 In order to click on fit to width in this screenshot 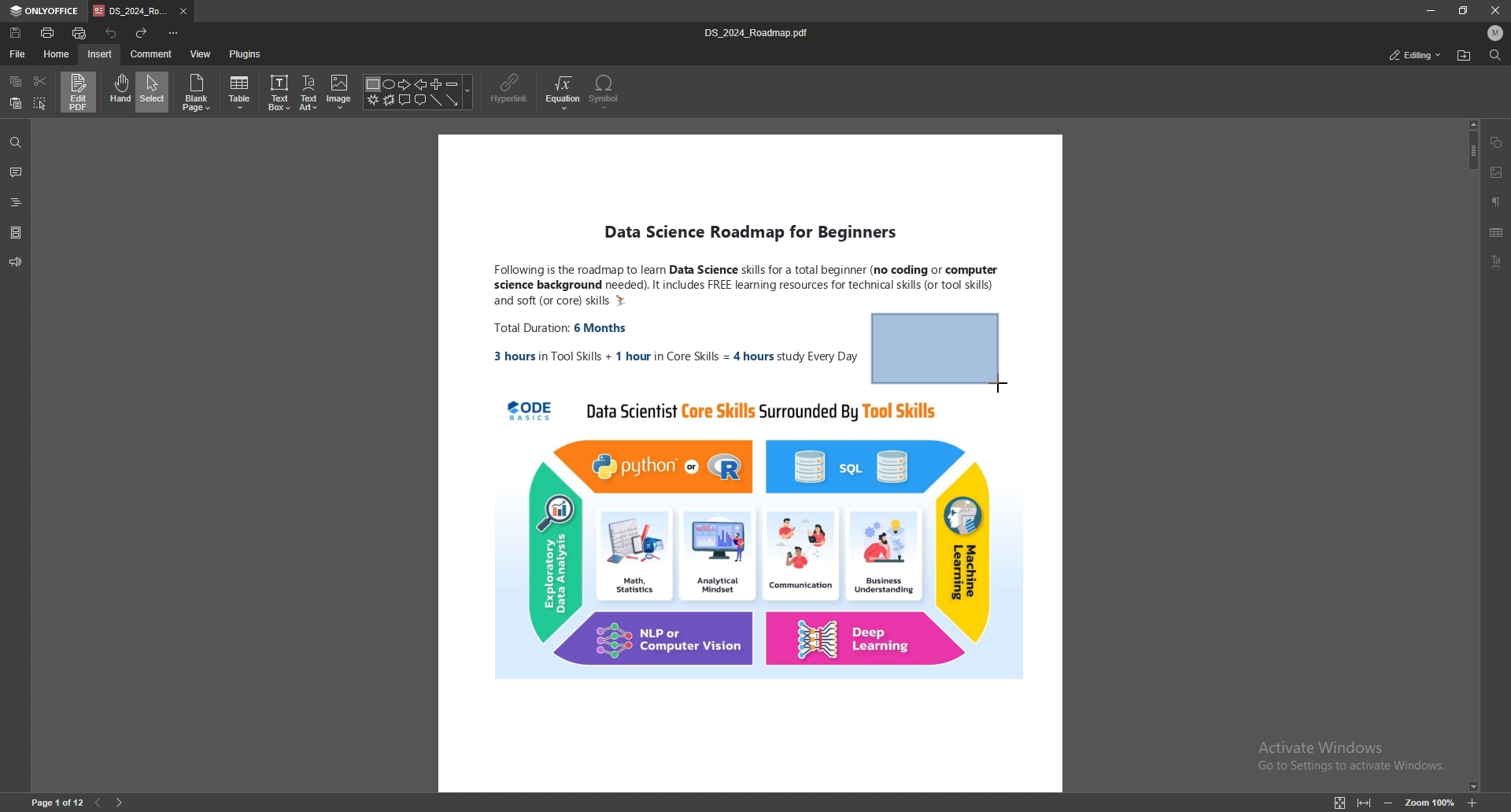, I will do `click(1366, 806)`.